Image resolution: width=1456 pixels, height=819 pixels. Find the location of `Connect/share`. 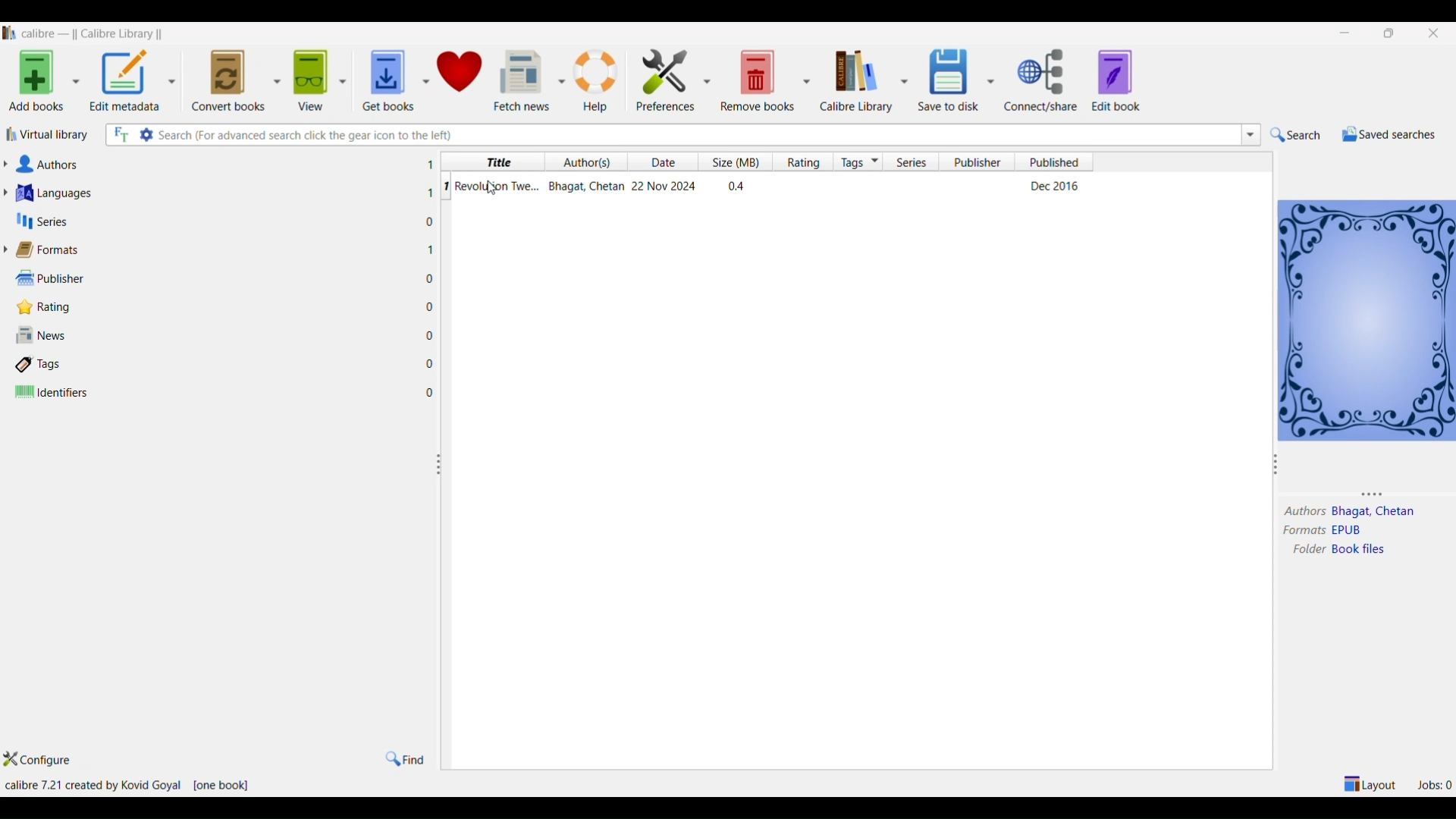

Connect/share is located at coordinates (1043, 80).